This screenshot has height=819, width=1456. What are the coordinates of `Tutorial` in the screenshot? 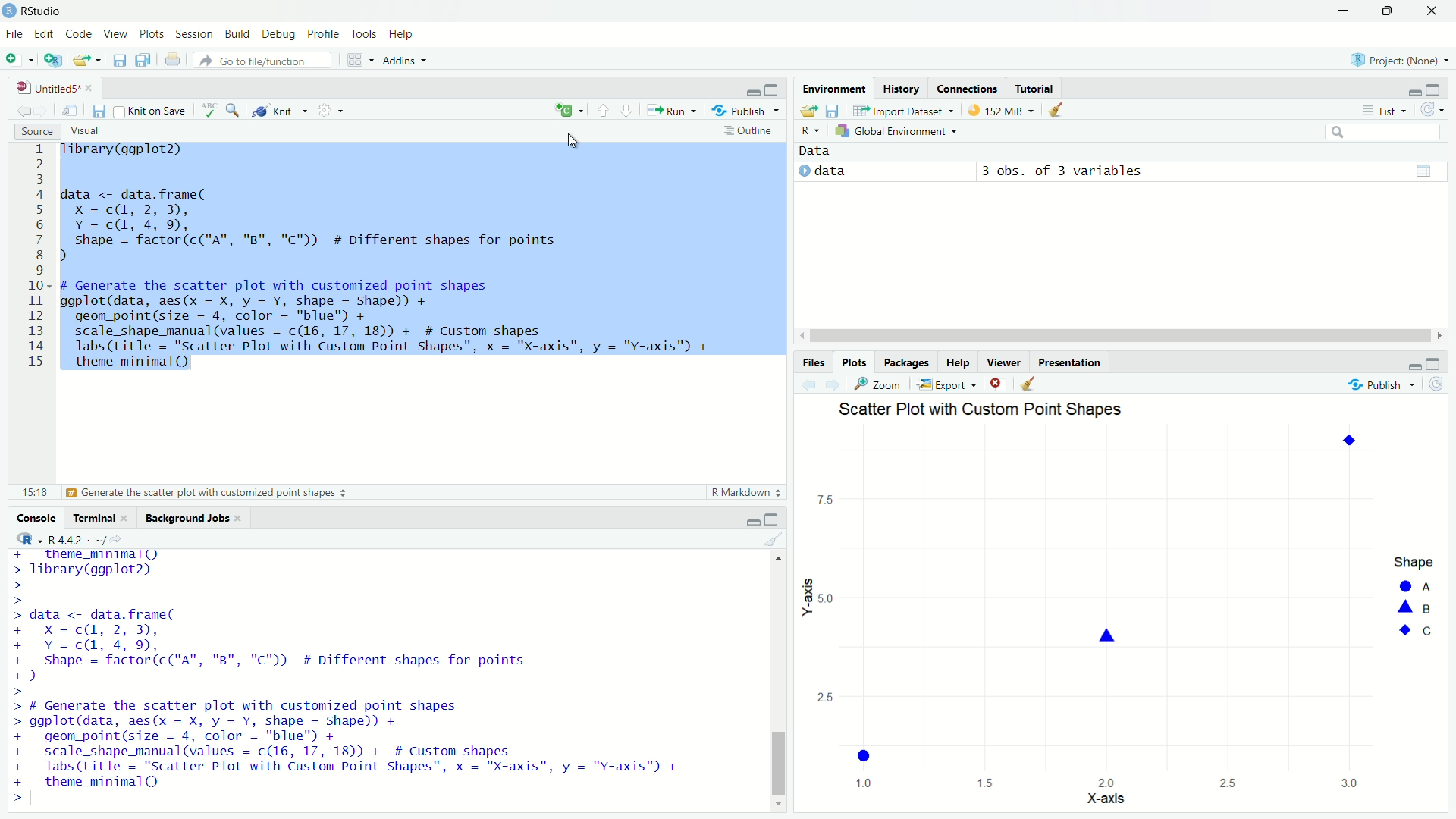 It's located at (1034, 87).